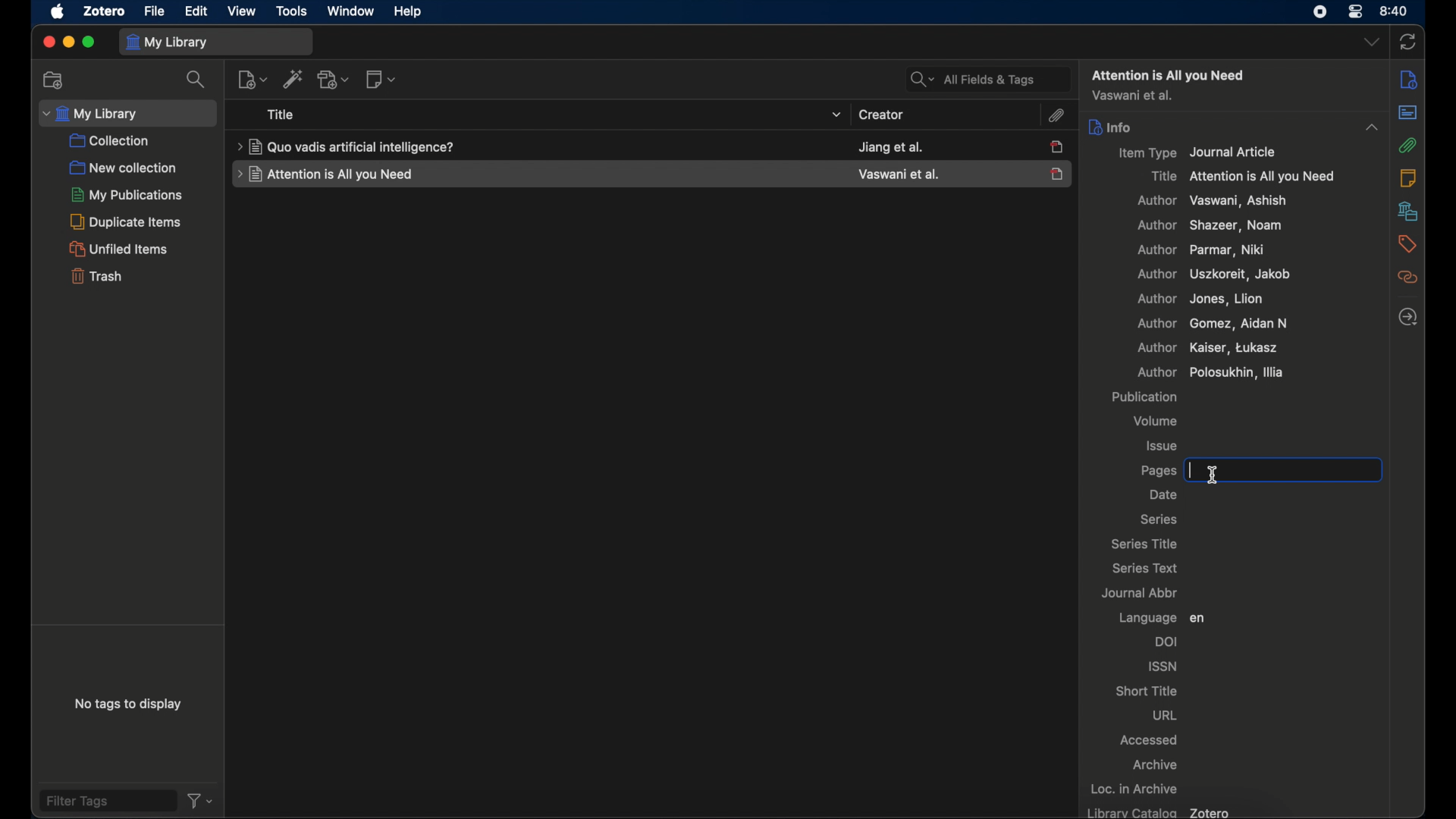 This screenshot has height=819, width=1456. What do you see at coordinates (982, 77) in the screenshot?
I see `all fields and tags` at bounding box center [982, 77].